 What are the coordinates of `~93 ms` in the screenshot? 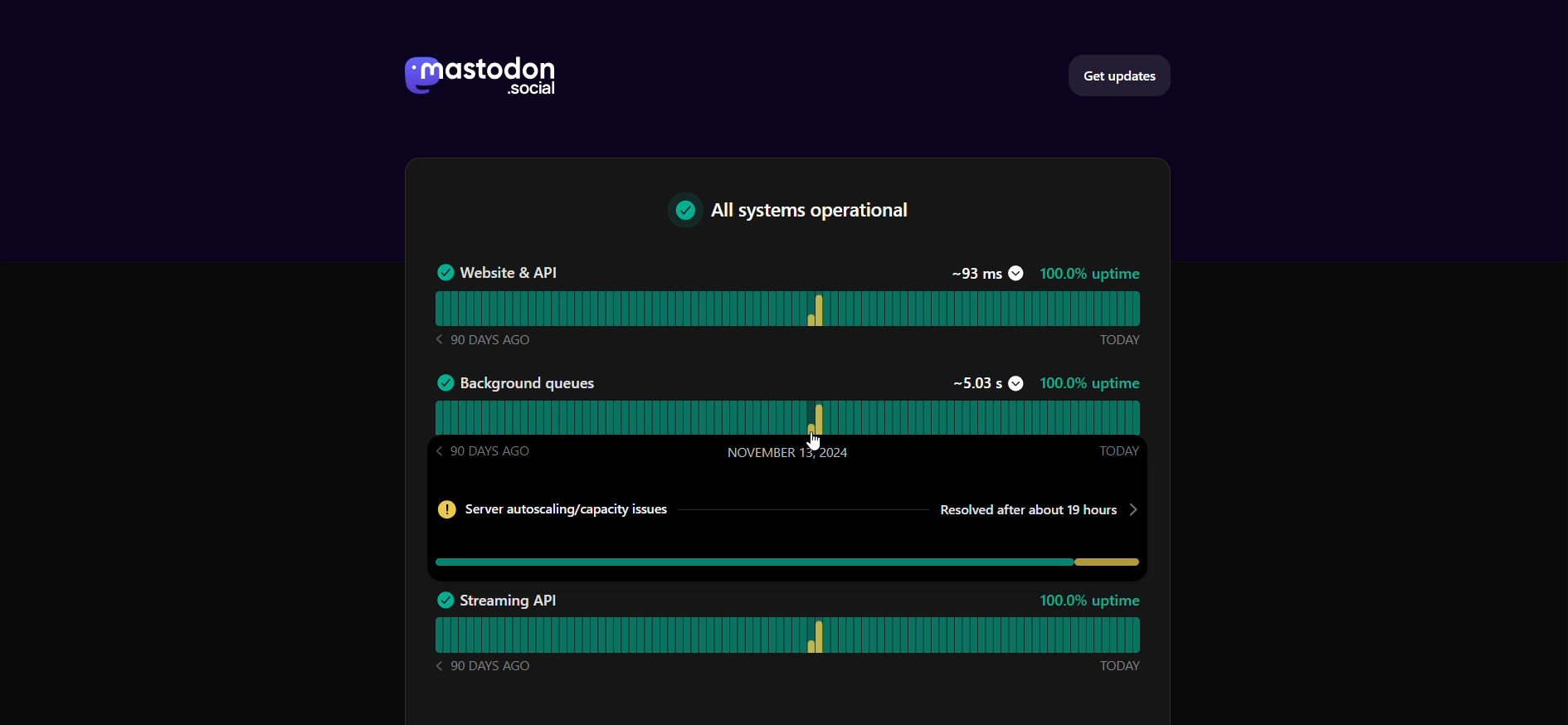 It's located at (985, 272).